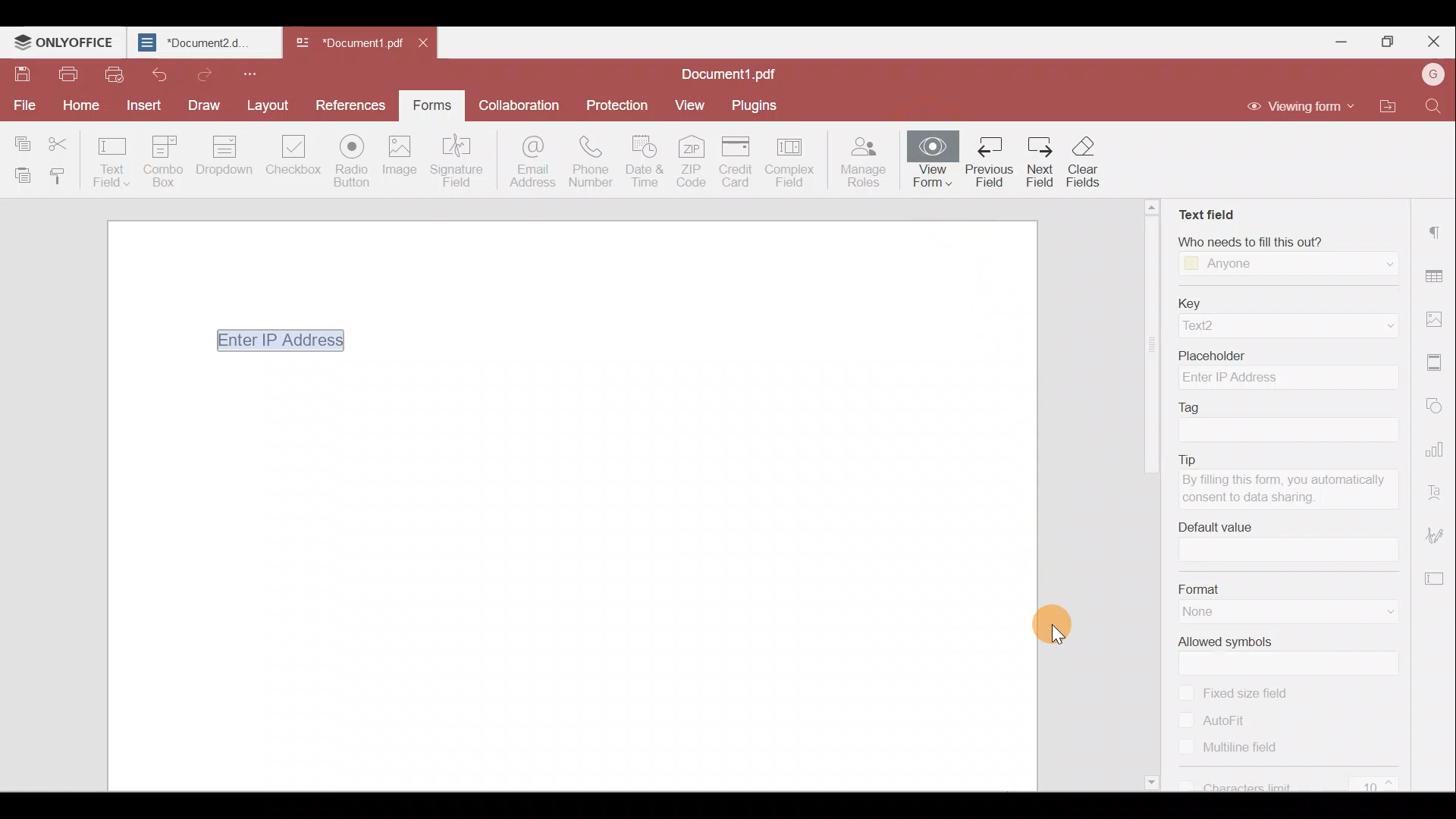 The image size is (1456, 819). What do you see at coordinates (737, 161) in the screenshot?
I see `Credit card` at bounding box center [737, 161].